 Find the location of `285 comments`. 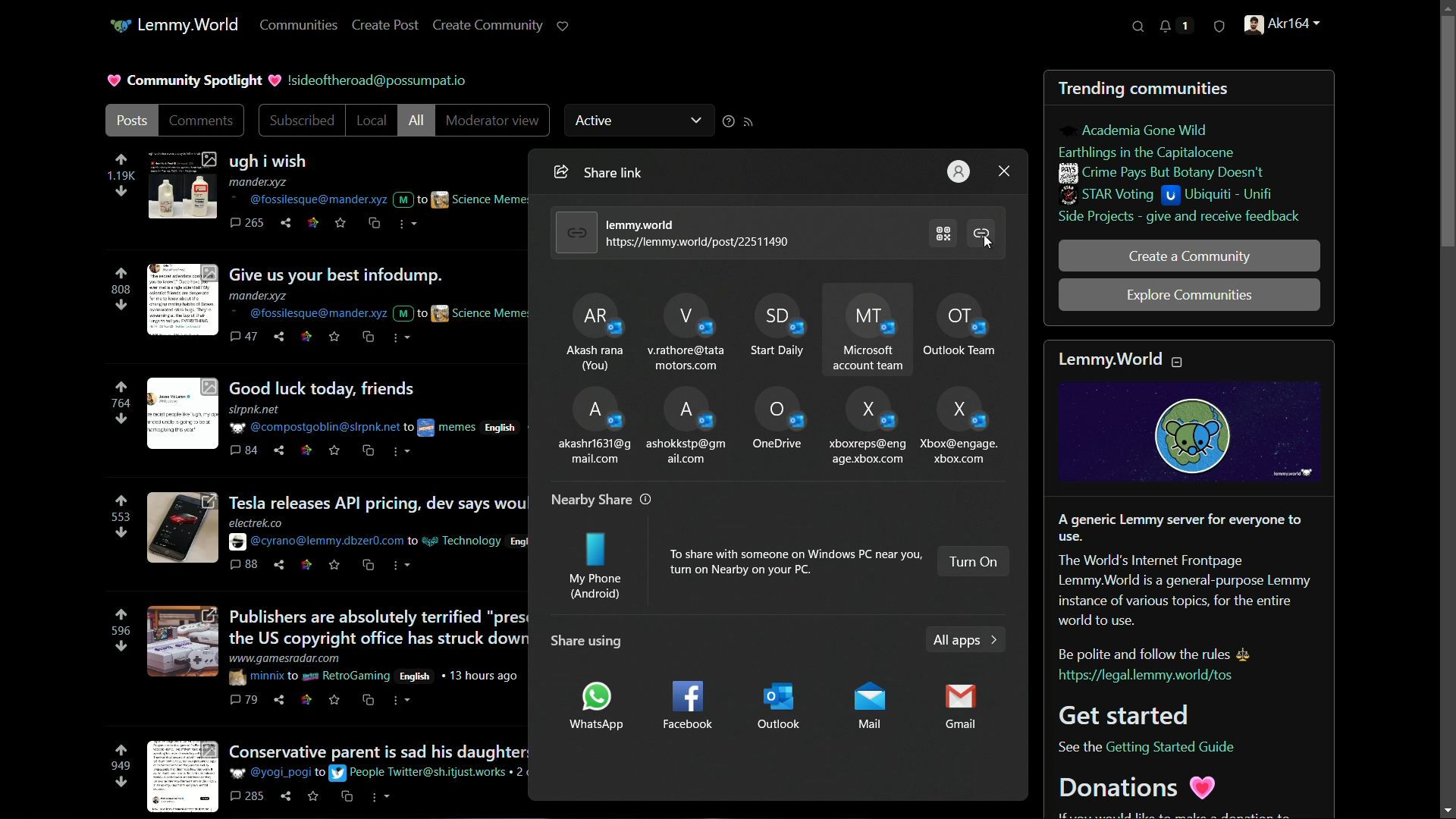

285 comments is located at coordinates (249, 797).